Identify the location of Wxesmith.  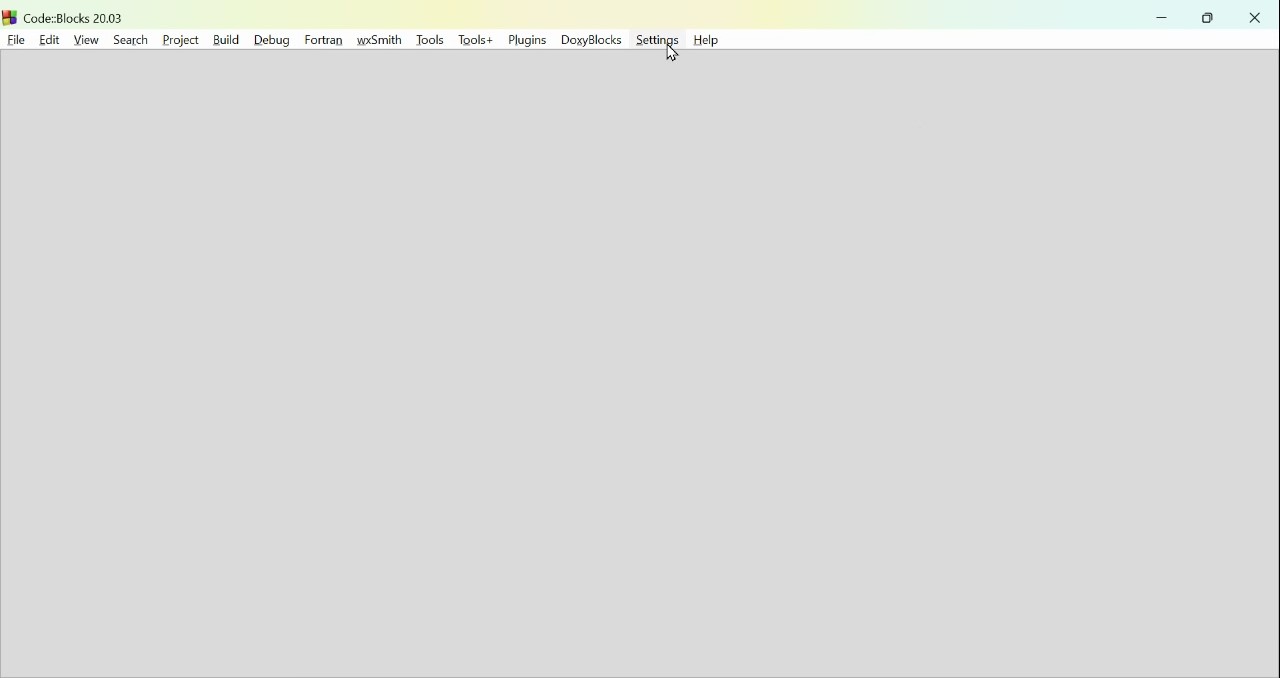
(382, 40).